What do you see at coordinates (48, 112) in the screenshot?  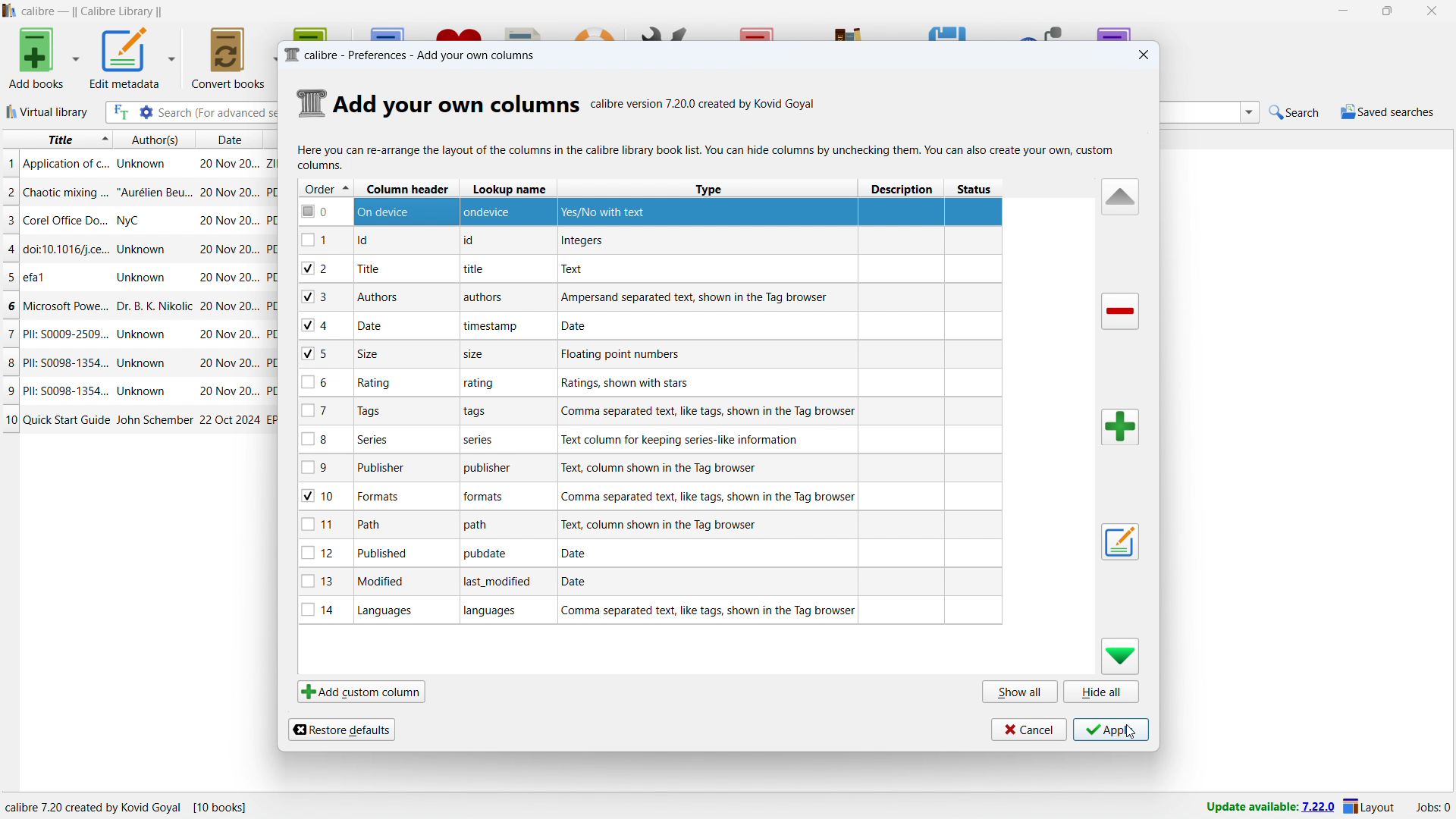 I see `virtual library` at bounding box center [48, 112].